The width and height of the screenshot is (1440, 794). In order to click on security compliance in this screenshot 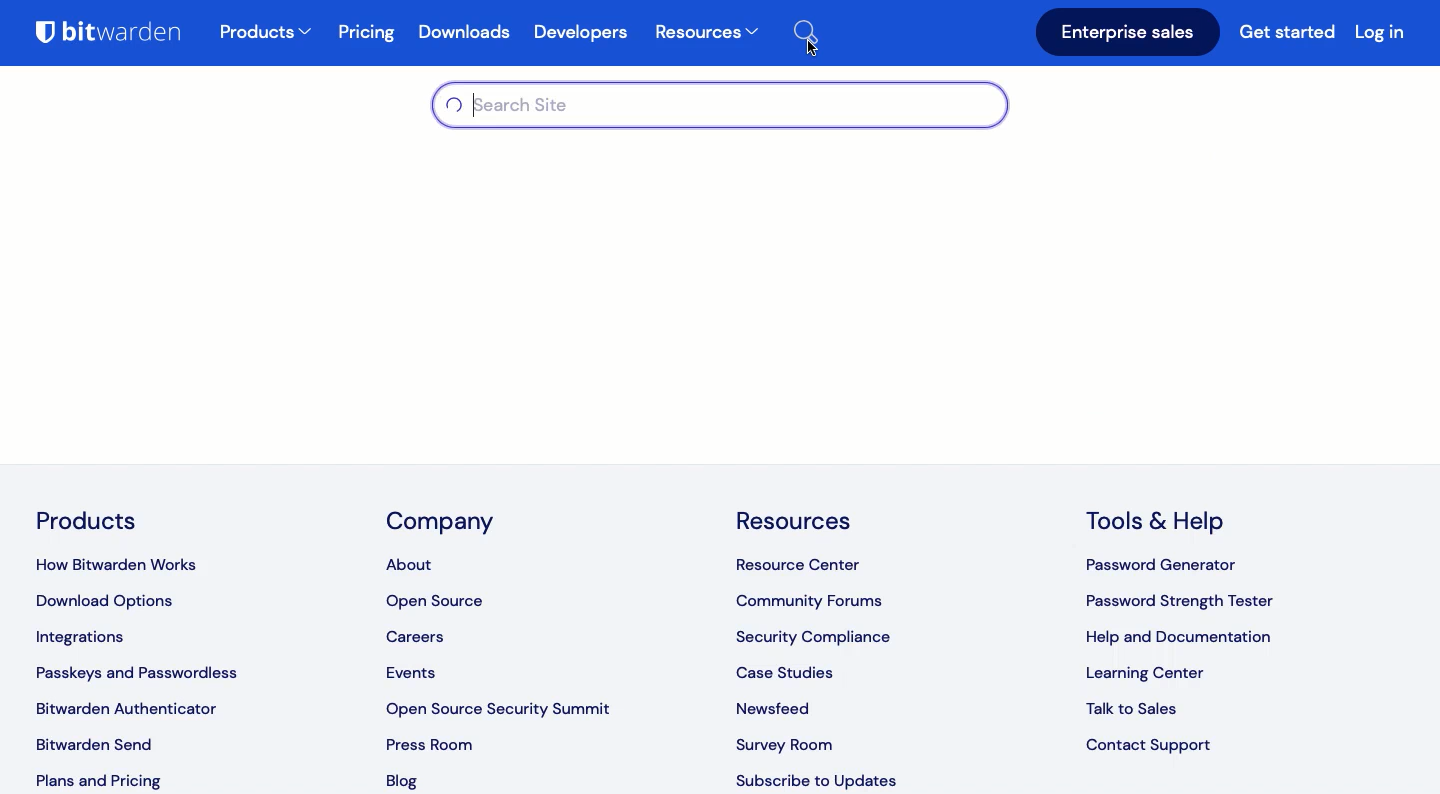, I will do `click(818, 633)`.